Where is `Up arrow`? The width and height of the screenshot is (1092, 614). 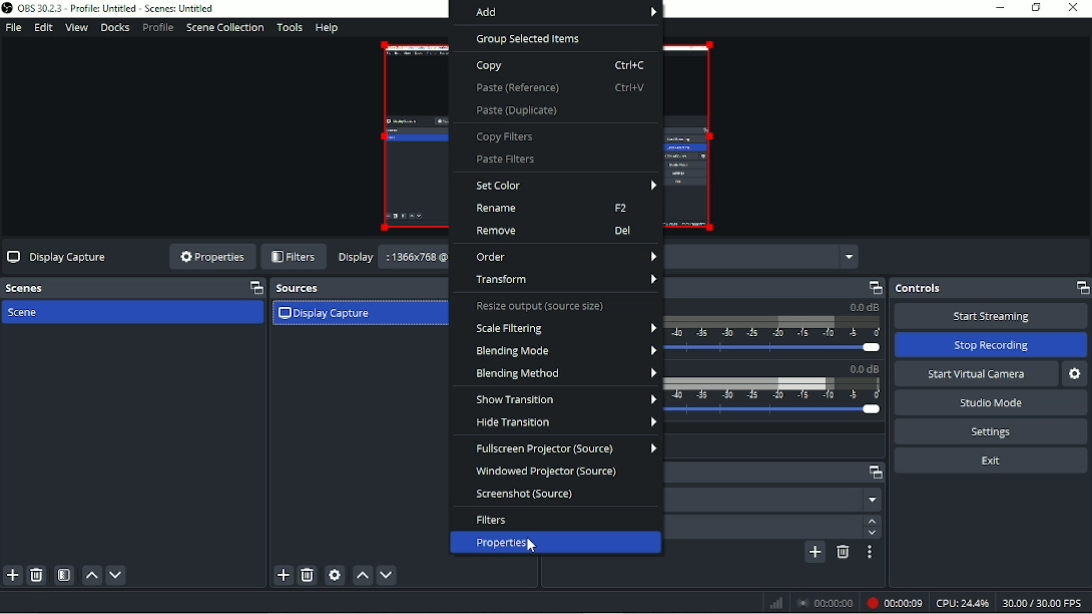
Up arrow is located at coordinates (871, 520).